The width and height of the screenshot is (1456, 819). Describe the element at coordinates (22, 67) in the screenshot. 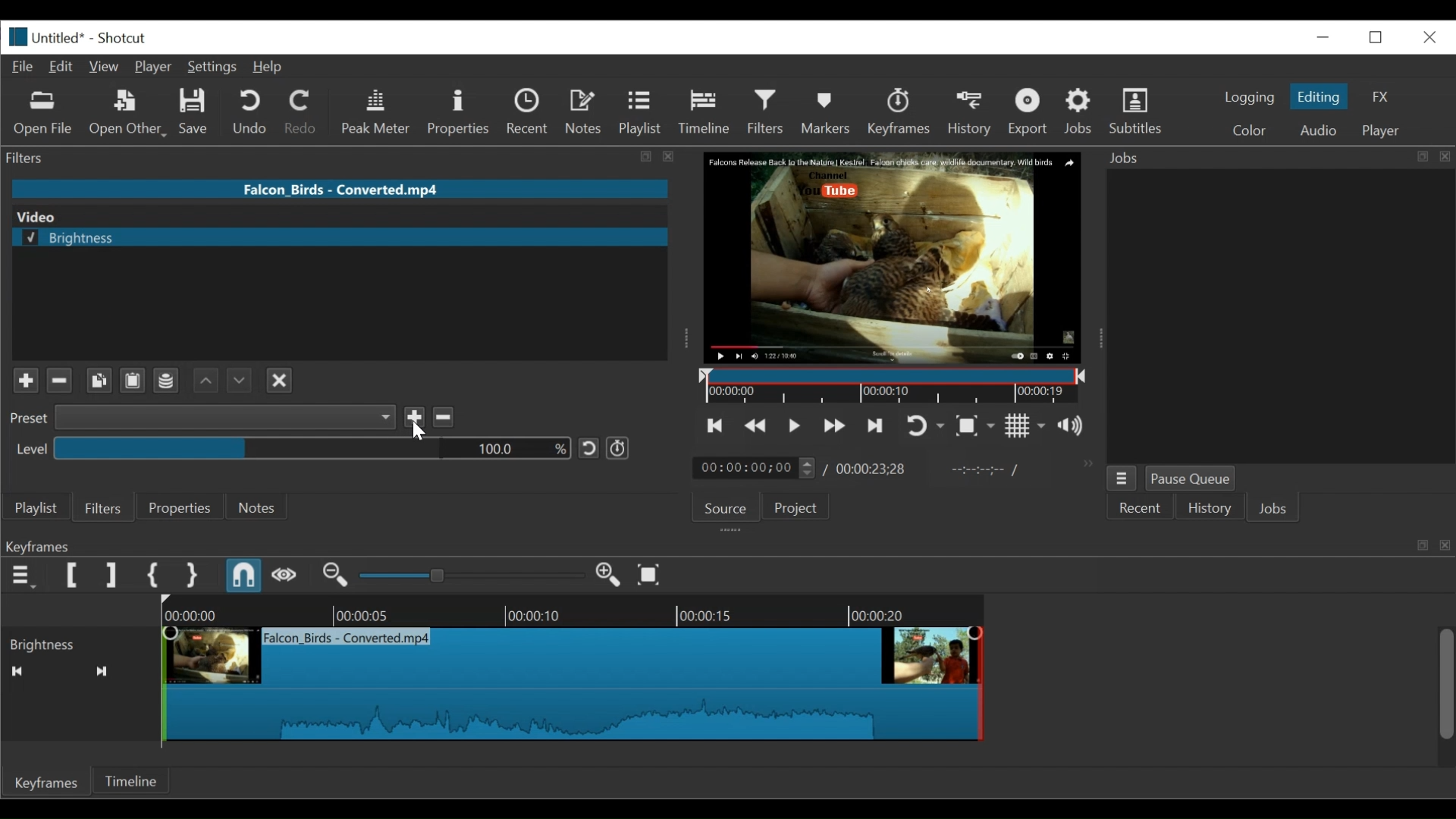

I see `File` at that location.